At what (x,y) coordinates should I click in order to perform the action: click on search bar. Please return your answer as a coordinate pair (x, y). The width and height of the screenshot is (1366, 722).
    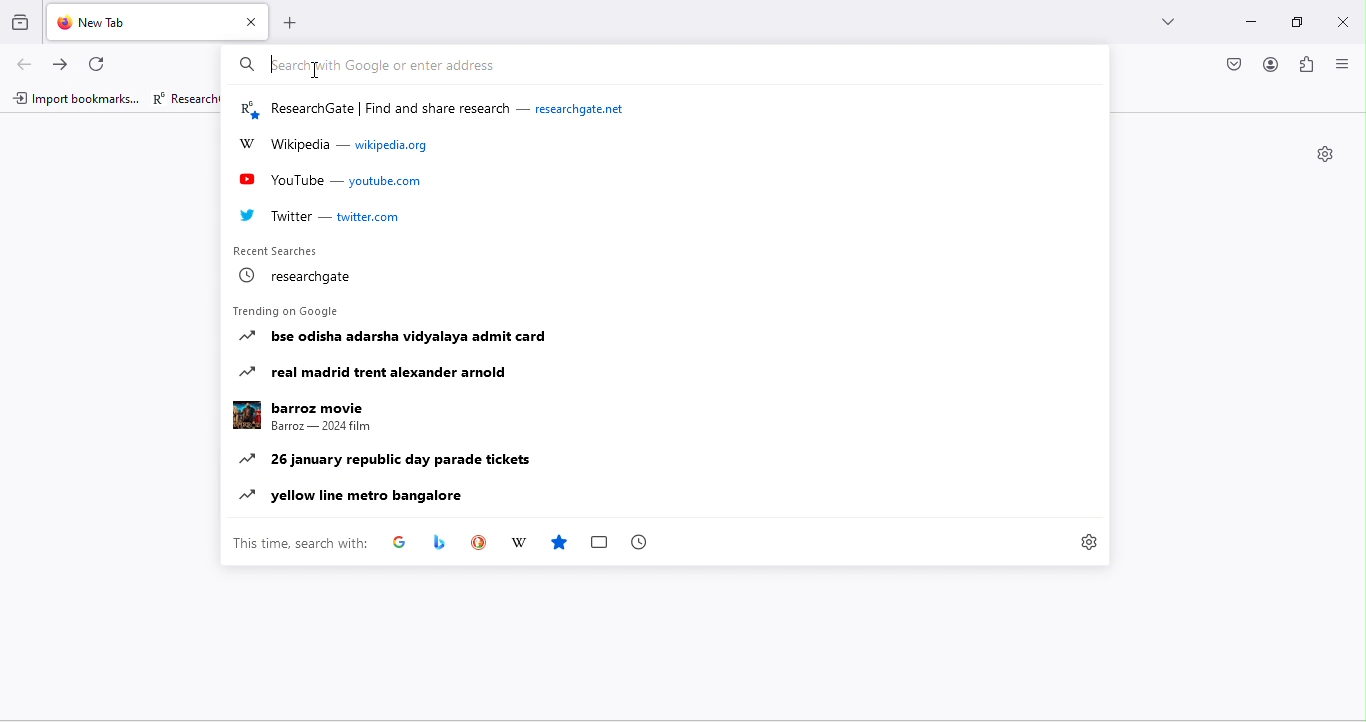
    Looking at the image, I should click on (665, 64).